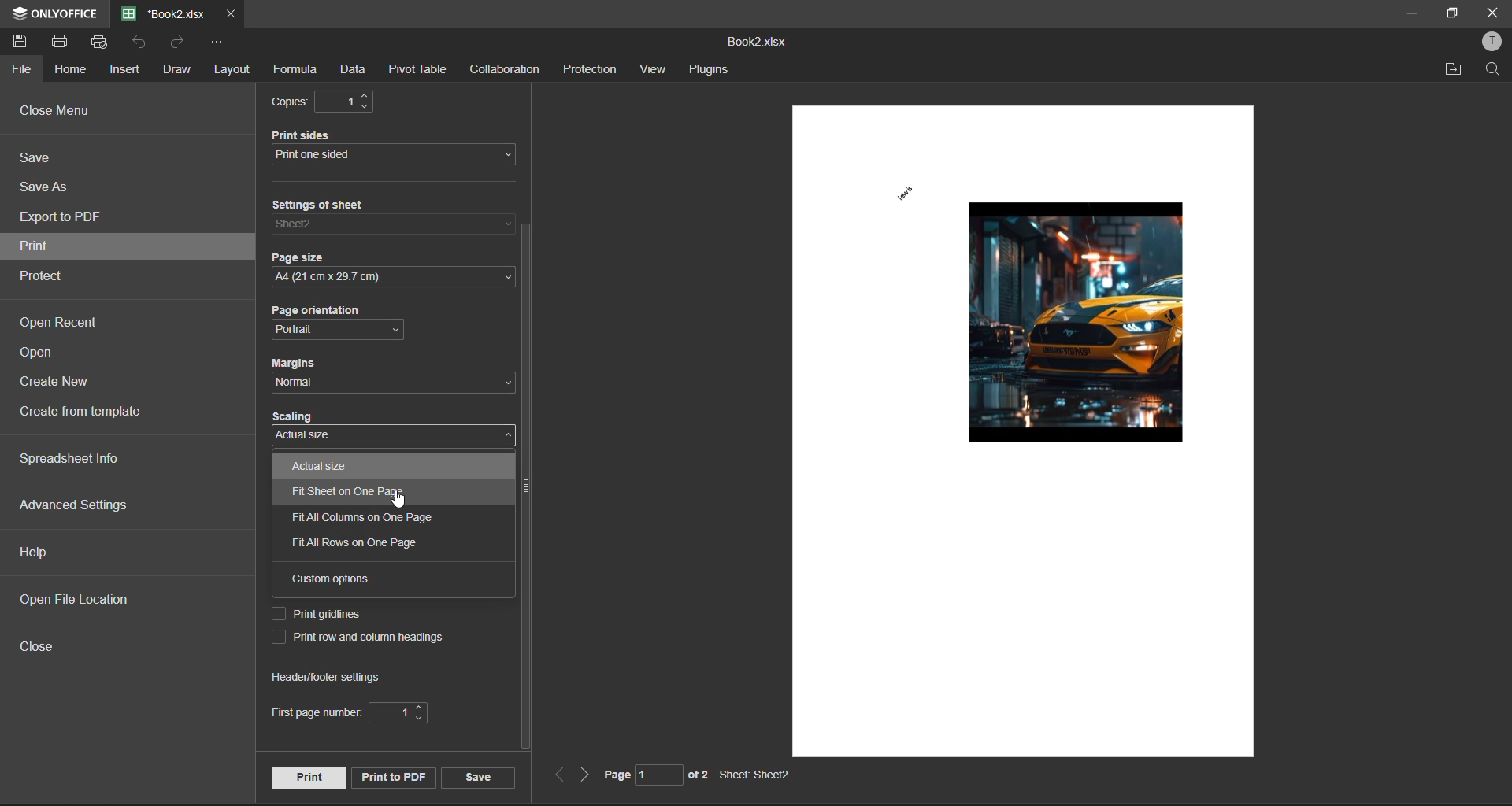  I want to click on profile, so click(1493, 43).